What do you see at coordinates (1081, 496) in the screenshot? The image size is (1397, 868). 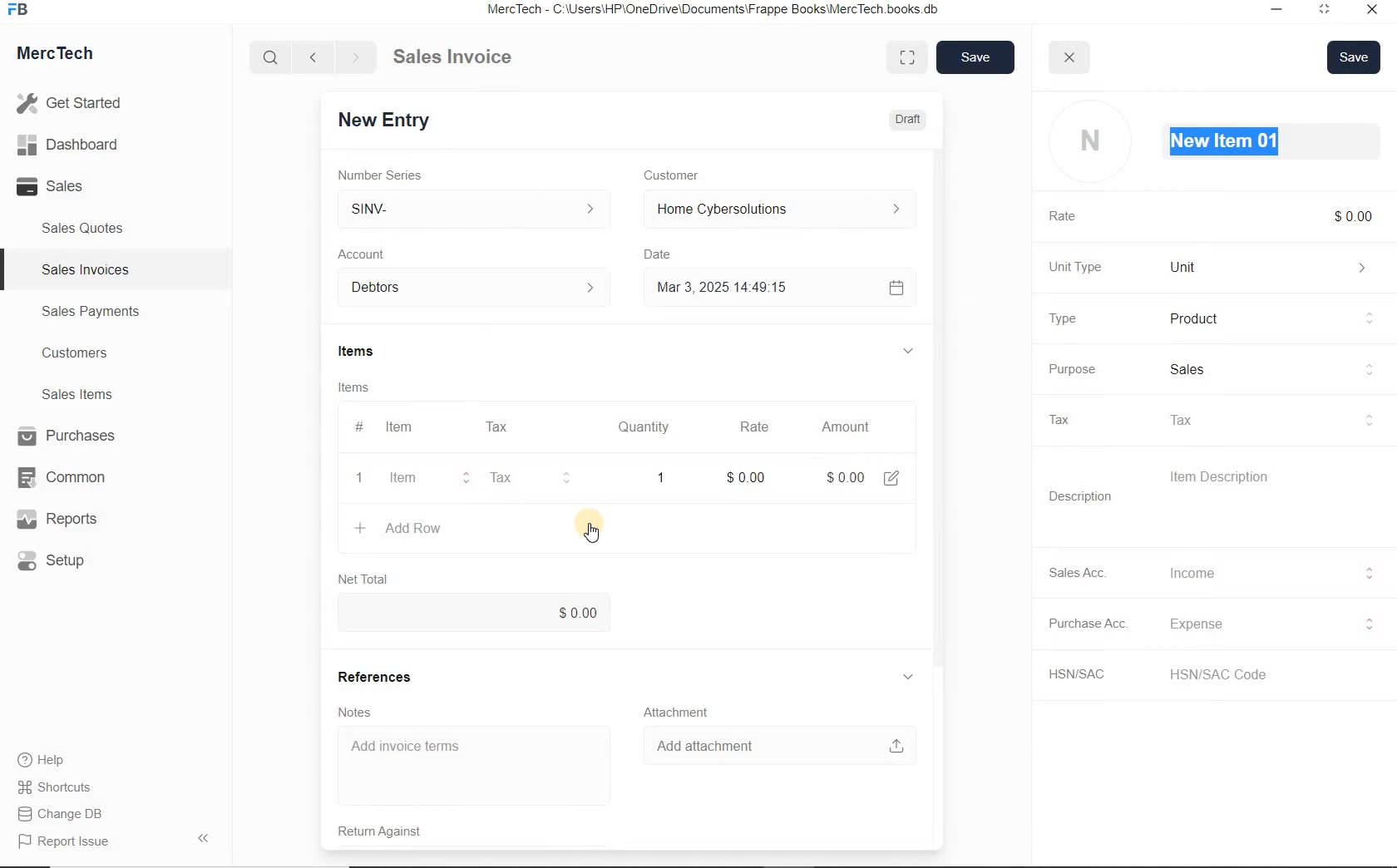 I see `Description` at bounding box center [1081, 496].